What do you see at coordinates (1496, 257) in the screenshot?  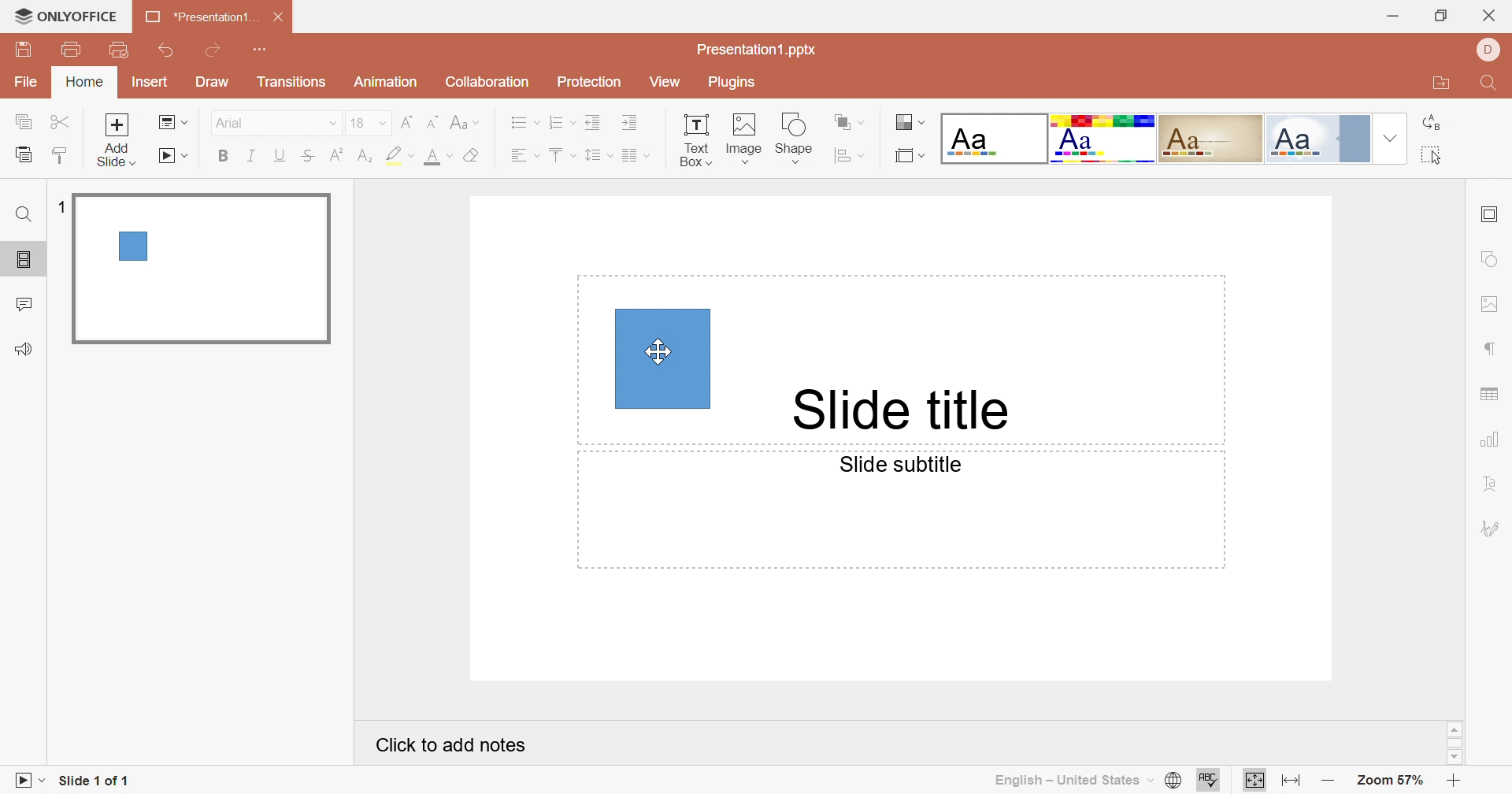 I see `Shape settings` at bounding box center [1496, 257].